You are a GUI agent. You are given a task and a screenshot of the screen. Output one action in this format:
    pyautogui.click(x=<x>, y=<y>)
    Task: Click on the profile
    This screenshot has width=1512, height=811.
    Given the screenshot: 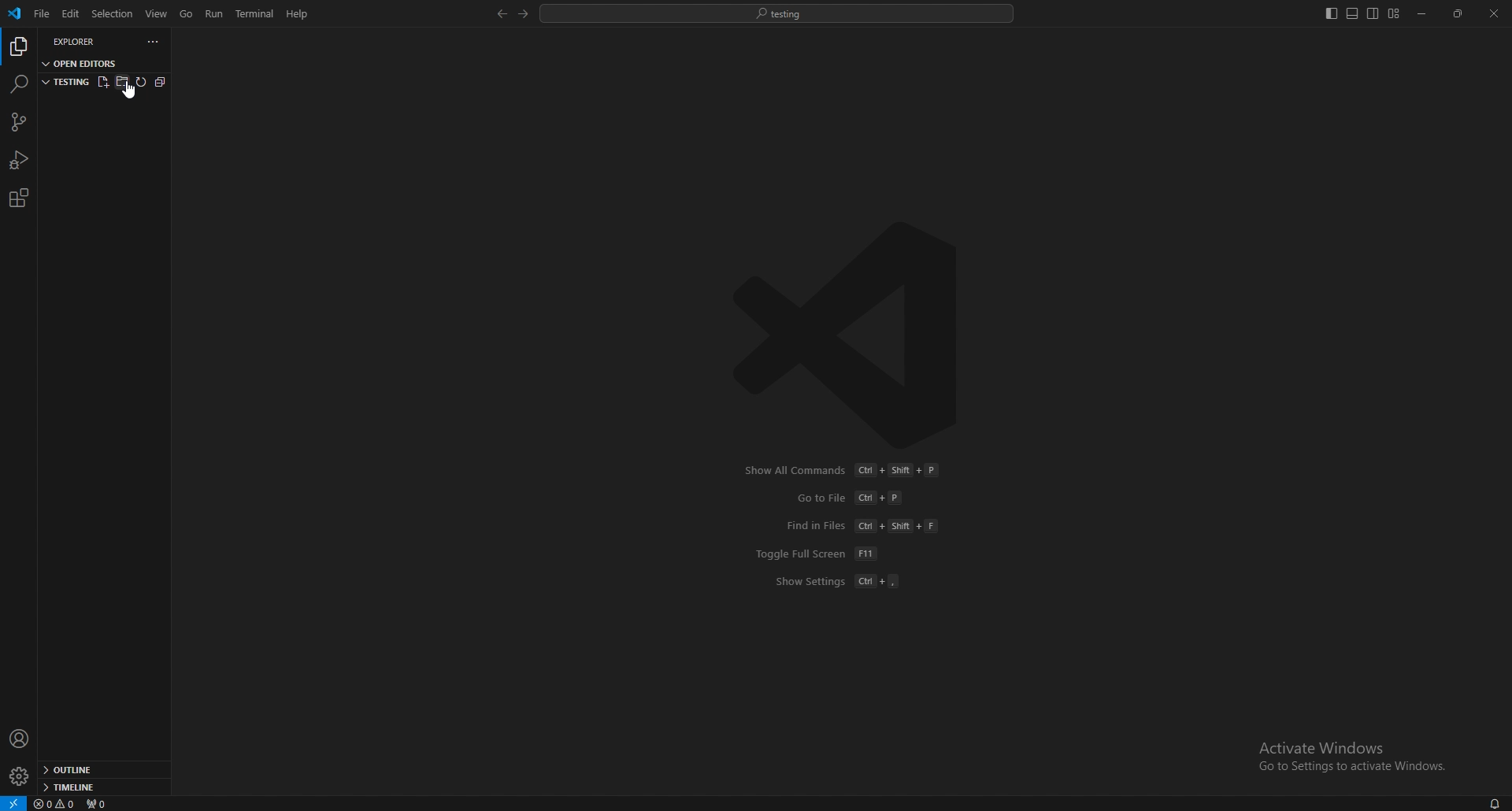 What is the action you would take?
    pyautogui.click(x=20, y=739)
    